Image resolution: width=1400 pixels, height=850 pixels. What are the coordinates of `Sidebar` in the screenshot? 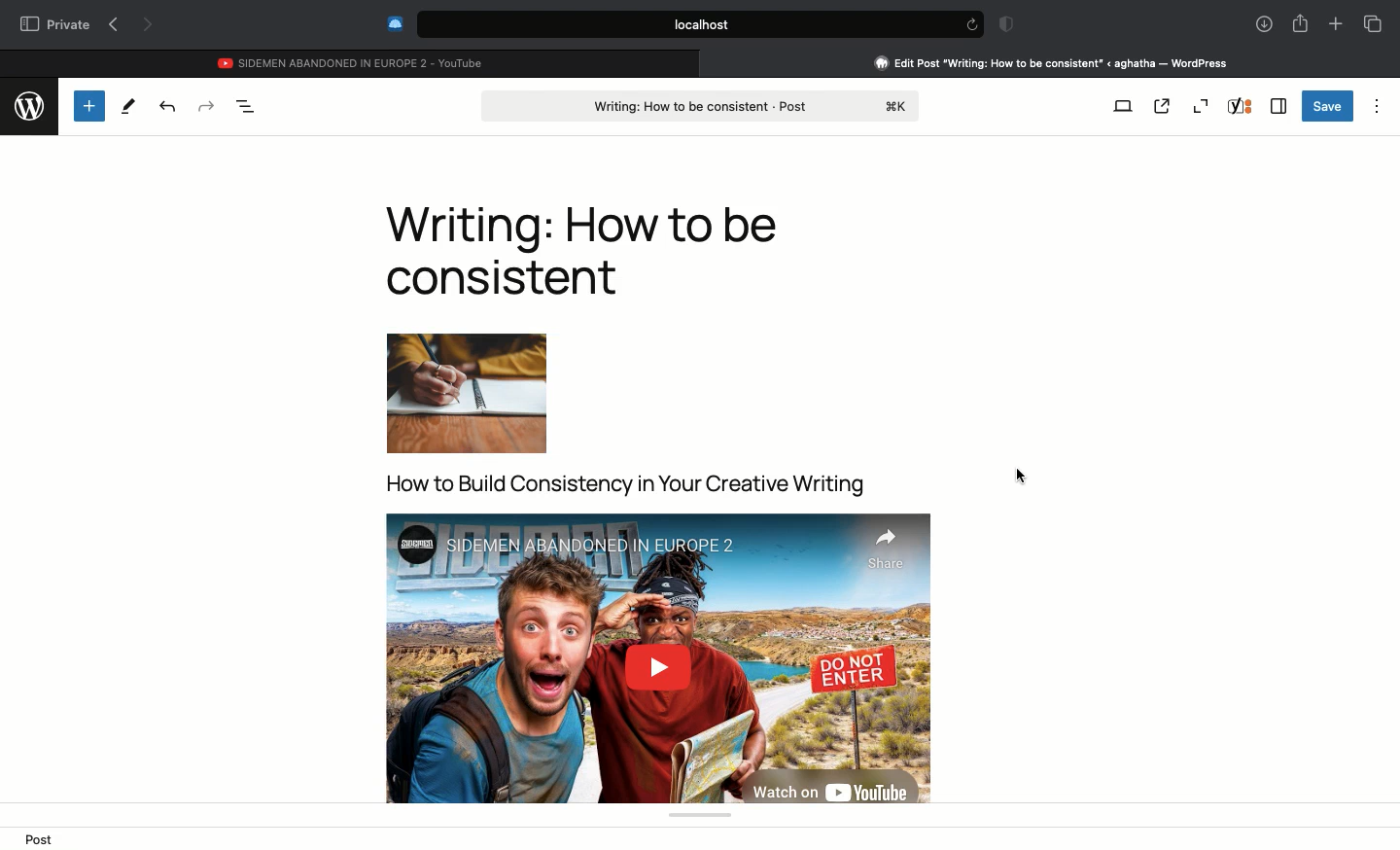 It's located at (1278, 106).